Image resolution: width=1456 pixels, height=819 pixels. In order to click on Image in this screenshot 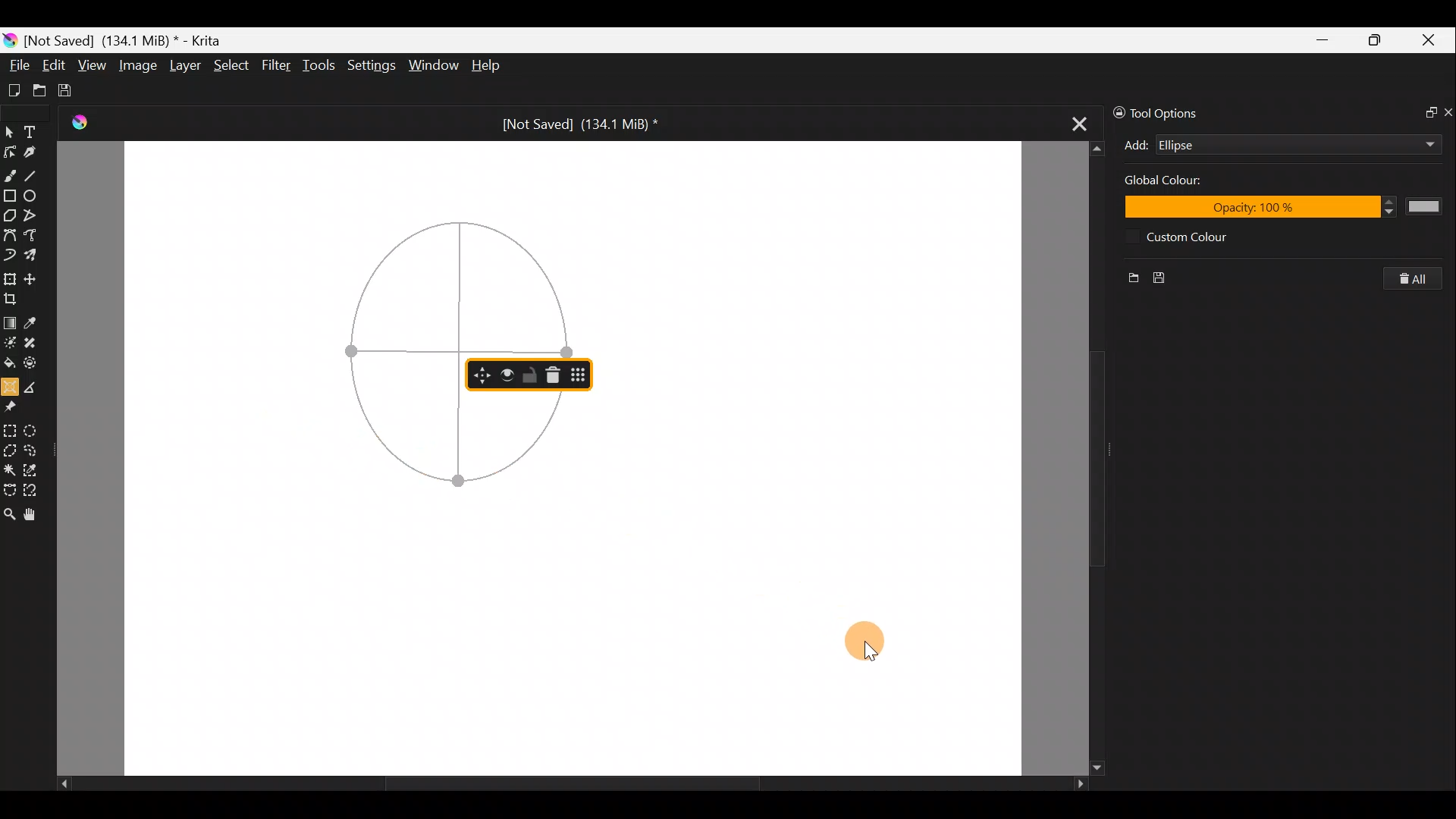, I will do `click(140, 64)`.